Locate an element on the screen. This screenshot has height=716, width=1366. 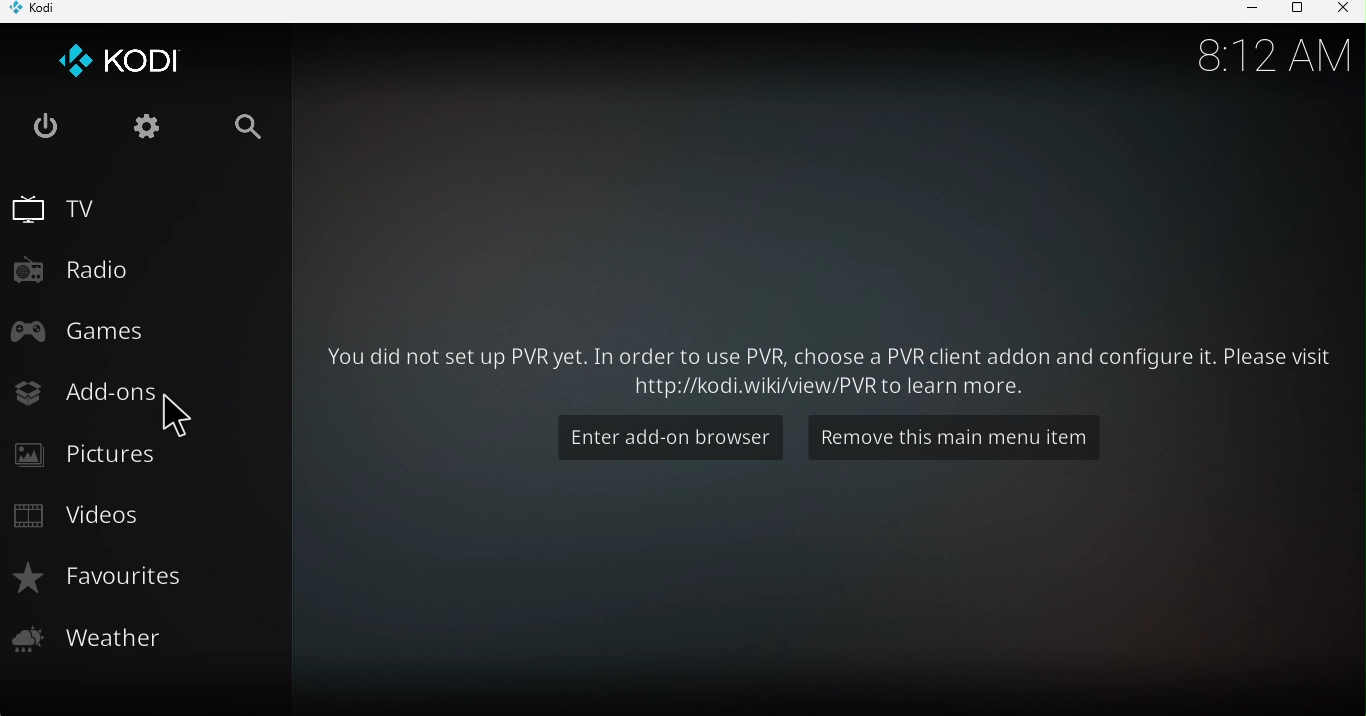
Exit is located at coordinates (47, 126).